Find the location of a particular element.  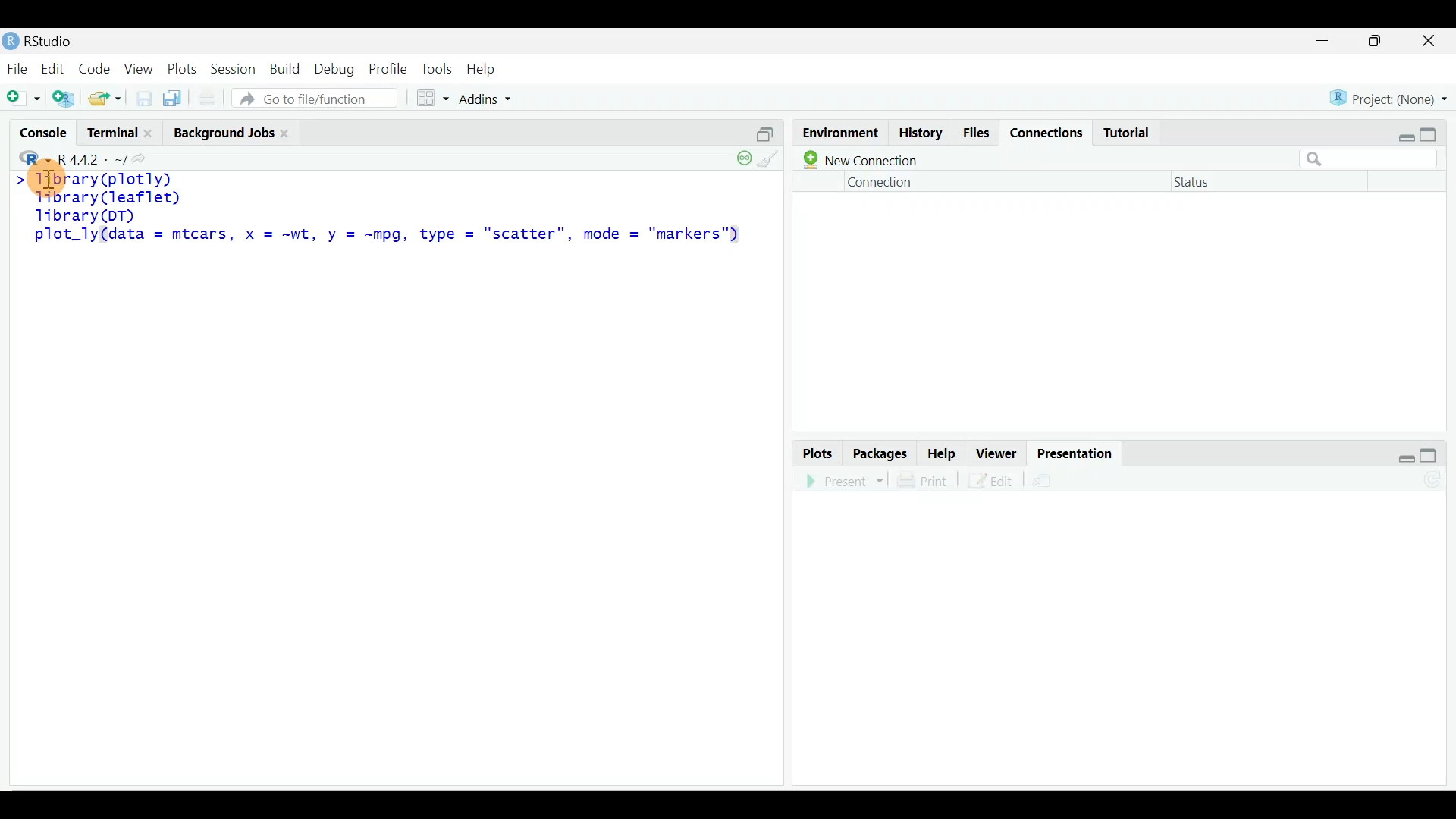

Terminal is located at coordinates (112, 133).